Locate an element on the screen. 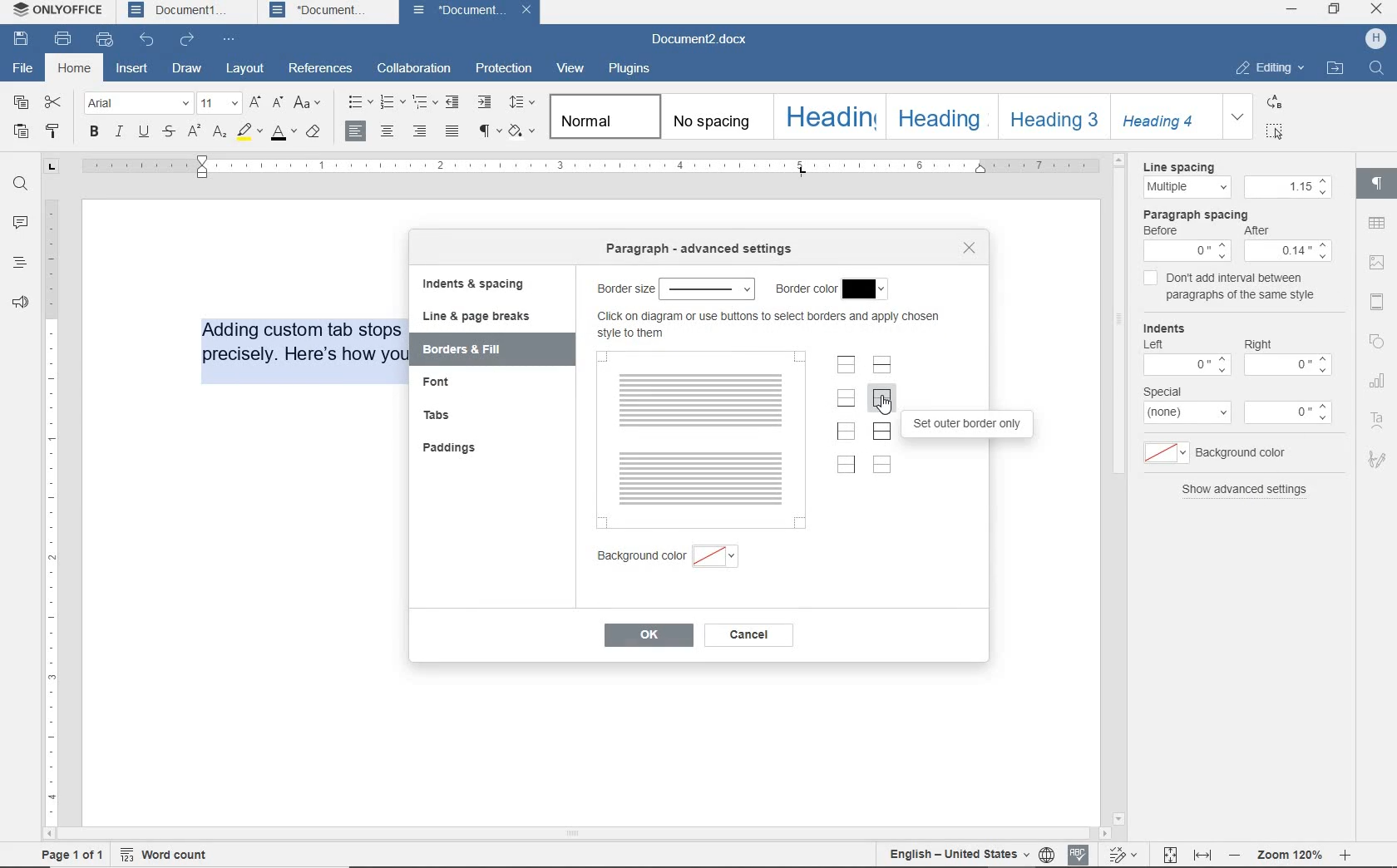 This screenshot has width=1397, height=868. font color is located at coordinates (284, 133).